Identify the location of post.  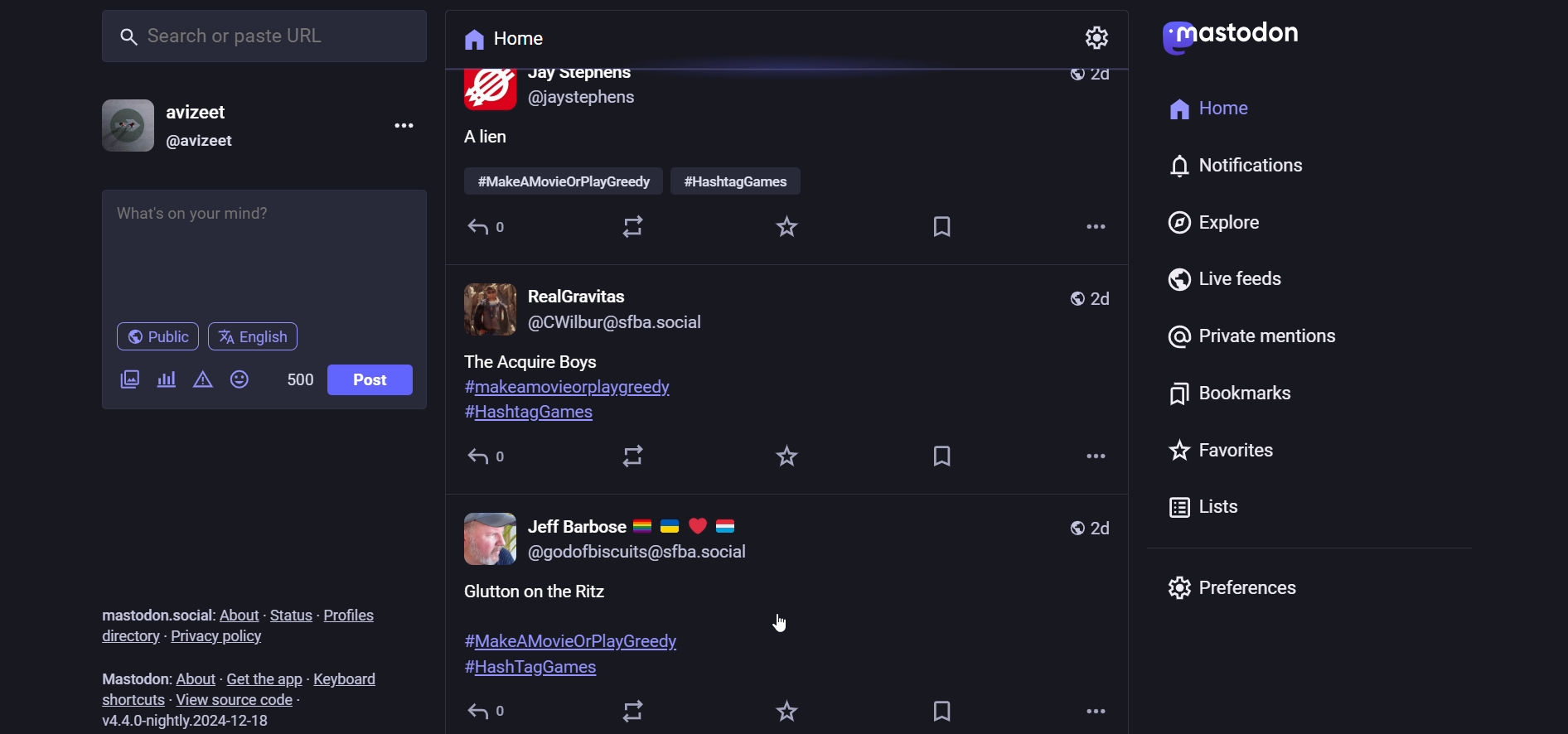
(484, 140).